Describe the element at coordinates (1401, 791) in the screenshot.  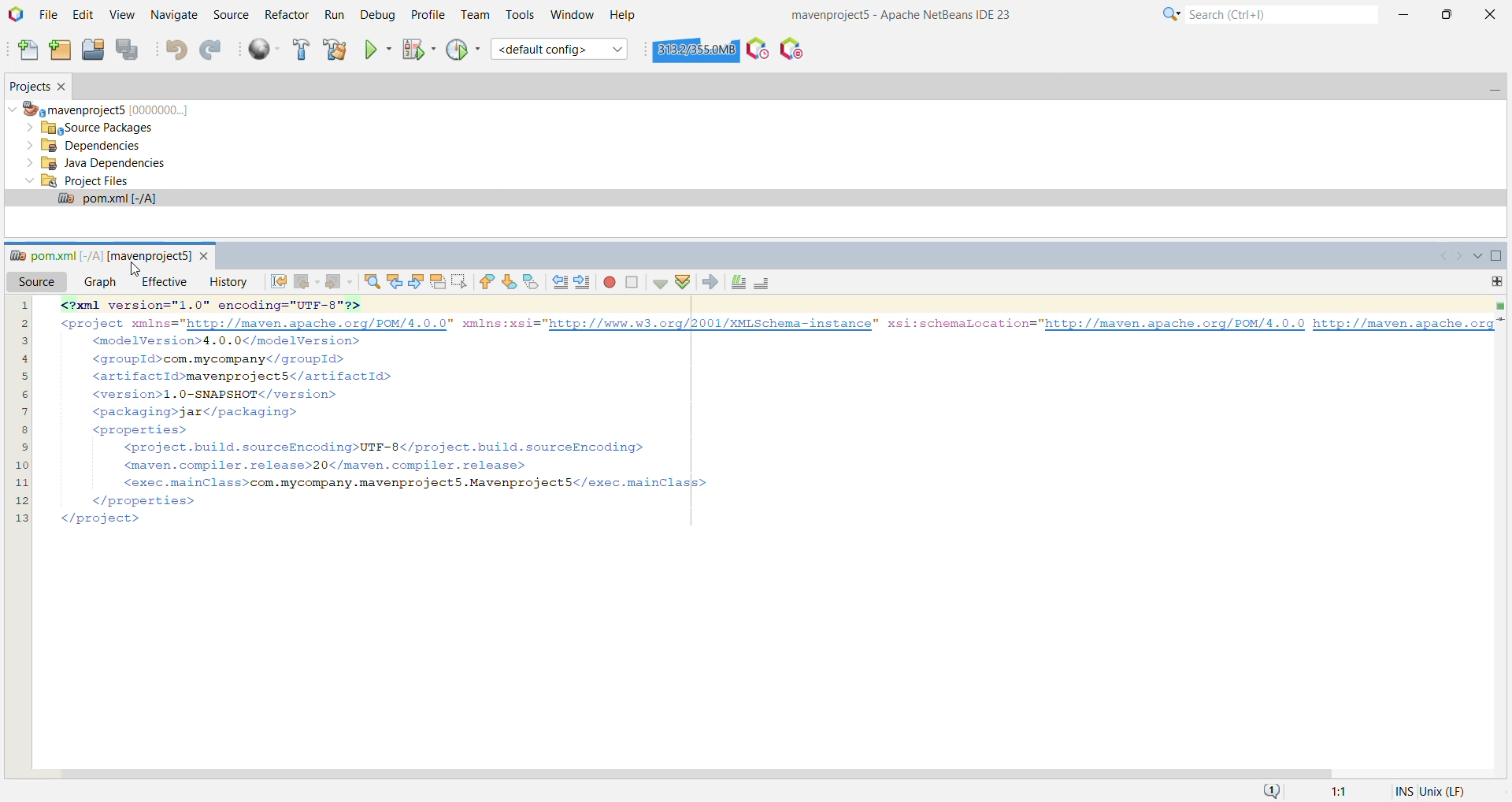
I see `Insert Mode` at that location.